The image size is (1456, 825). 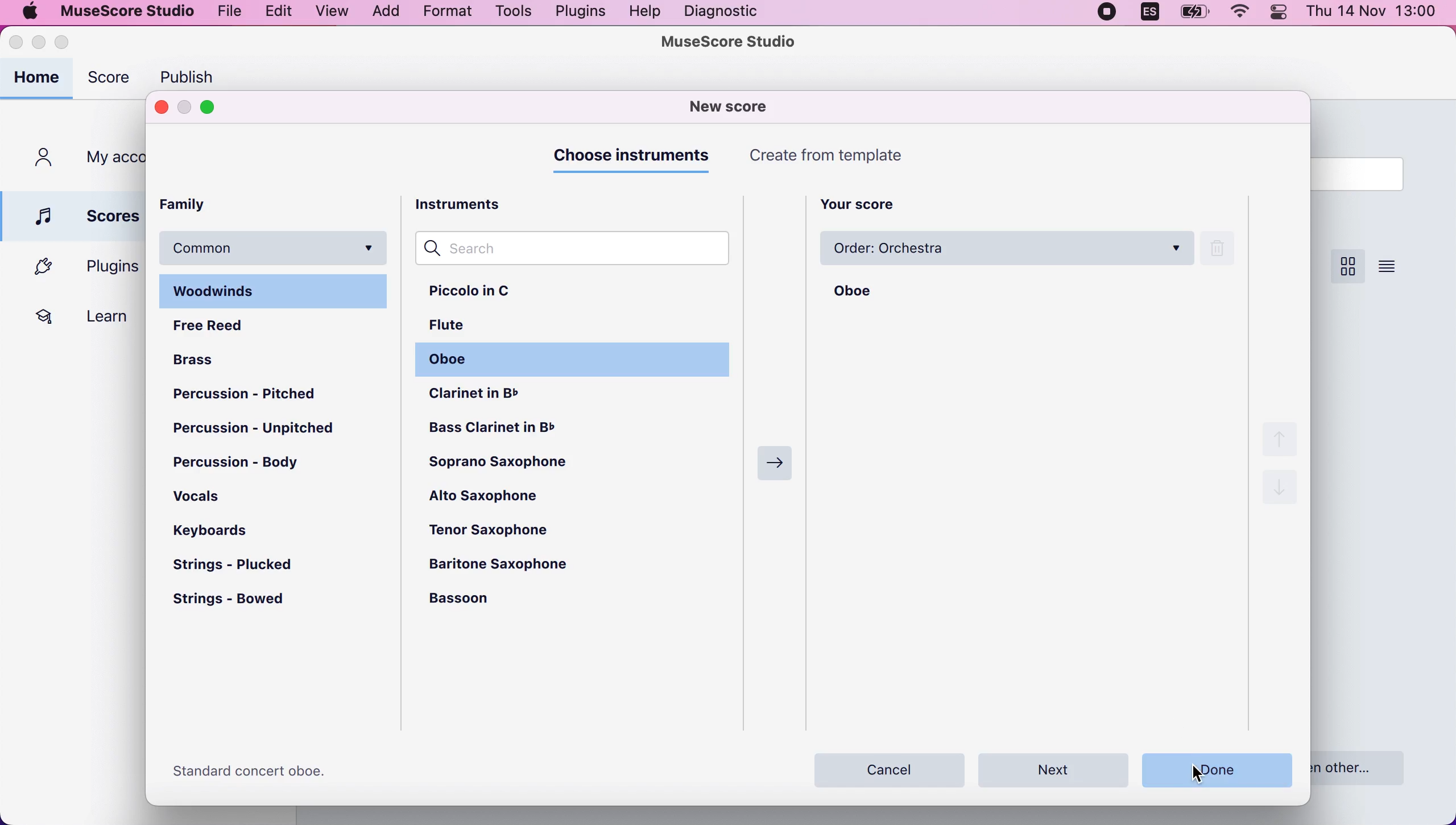 I want to click on piccolo in c, so click(x=495, y=294).